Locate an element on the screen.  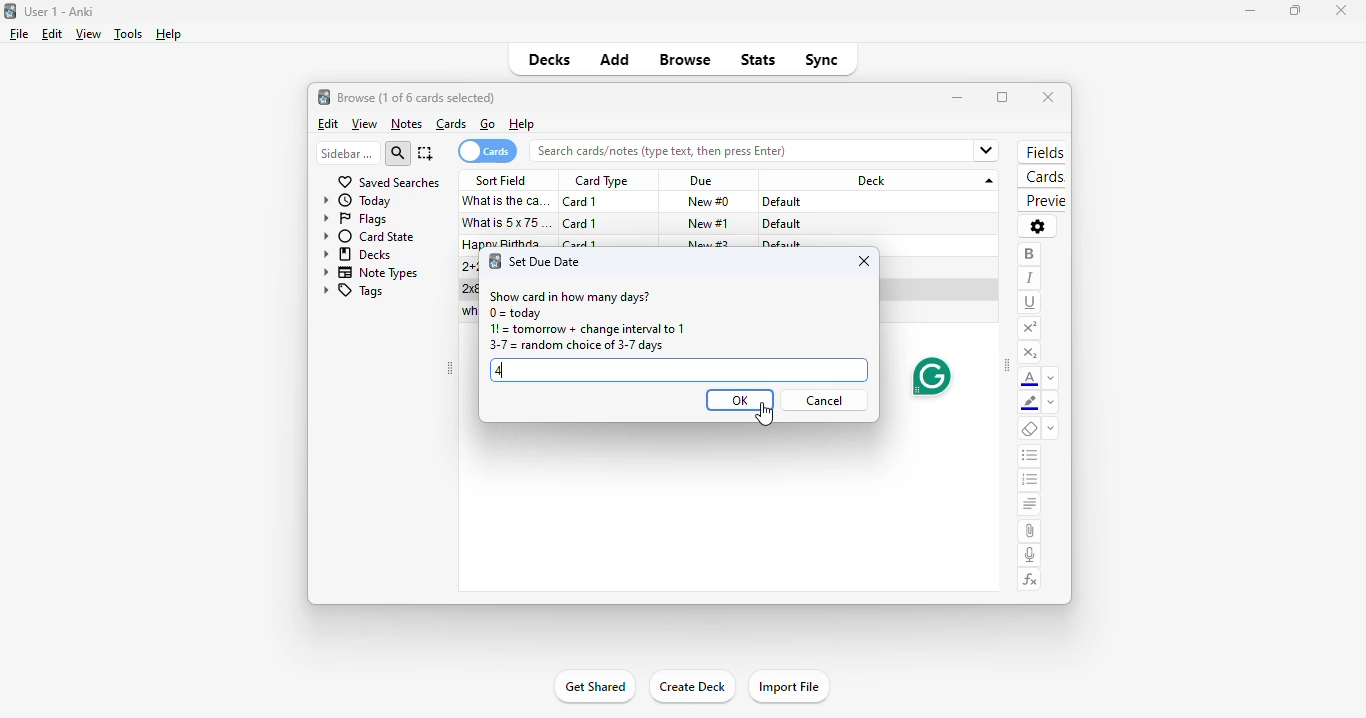
deck is located at coordinates (882, 180).